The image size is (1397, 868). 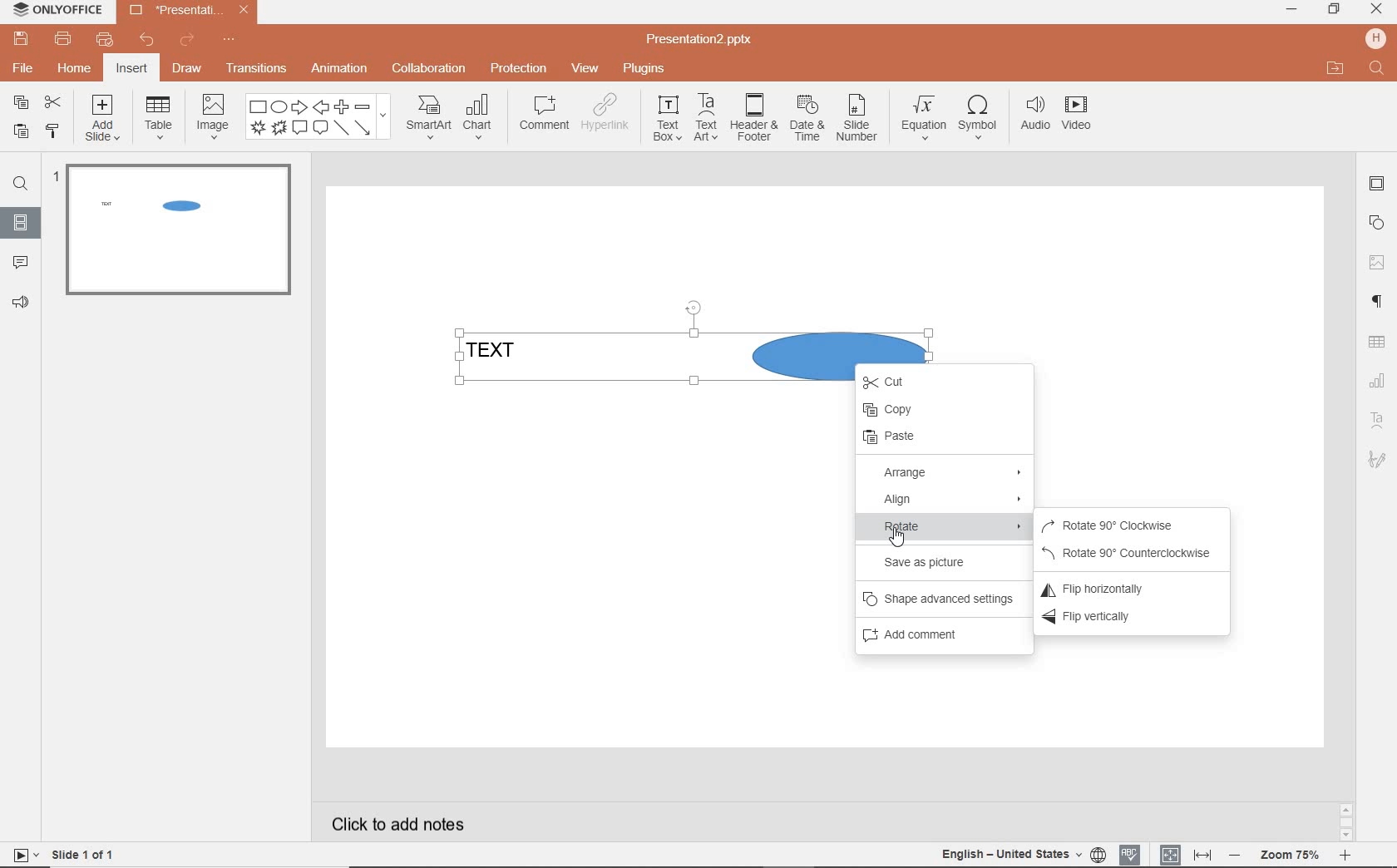 What do you see at coordinates (1131, 552) in the screenshot?
I see `ROTATE 90 COUNTERCLOCKWISE` at bounding box center [1131, 552].